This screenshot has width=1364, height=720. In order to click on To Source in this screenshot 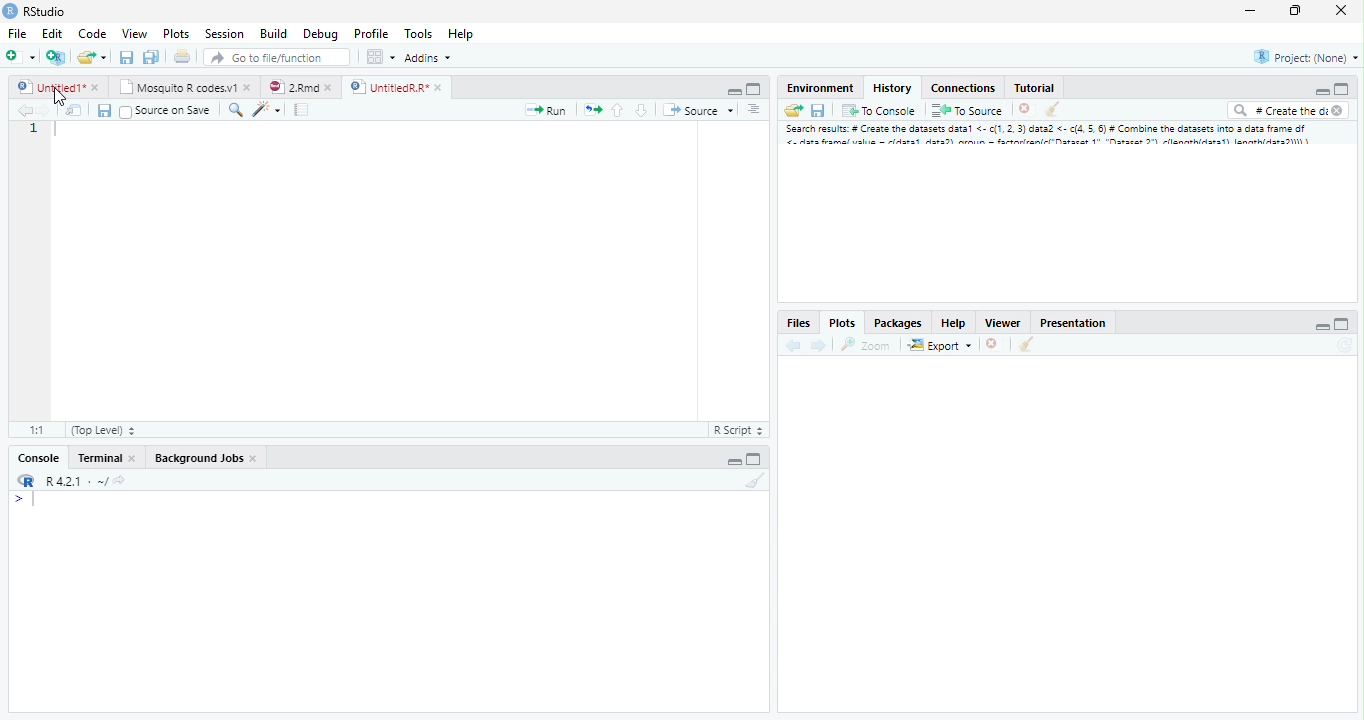, I will do `click(968, 110)`.